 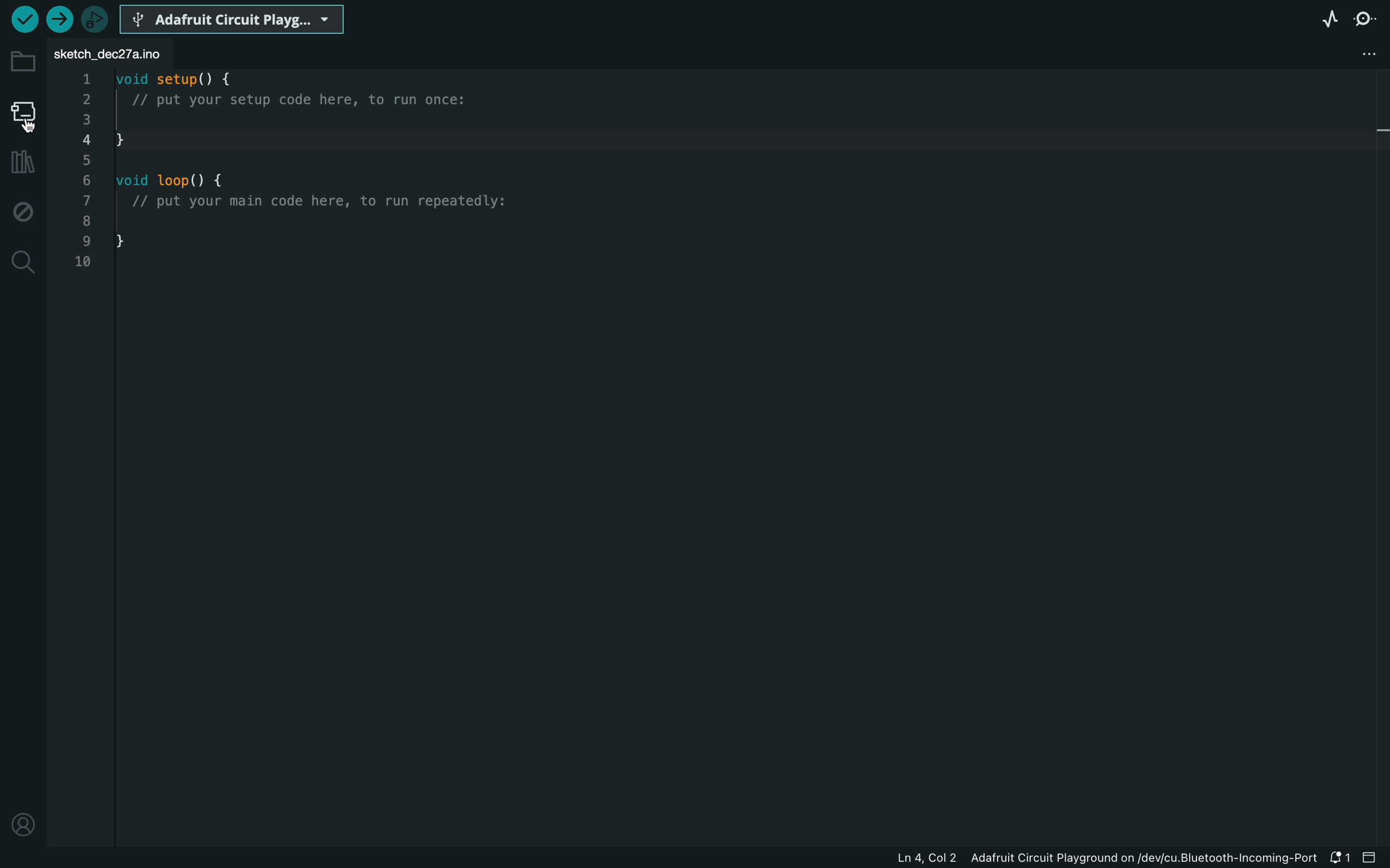 What do you see at coordinates (1371, 857) in the screenshot?
I see `close slide bar` at bounding box center [1371, 857].